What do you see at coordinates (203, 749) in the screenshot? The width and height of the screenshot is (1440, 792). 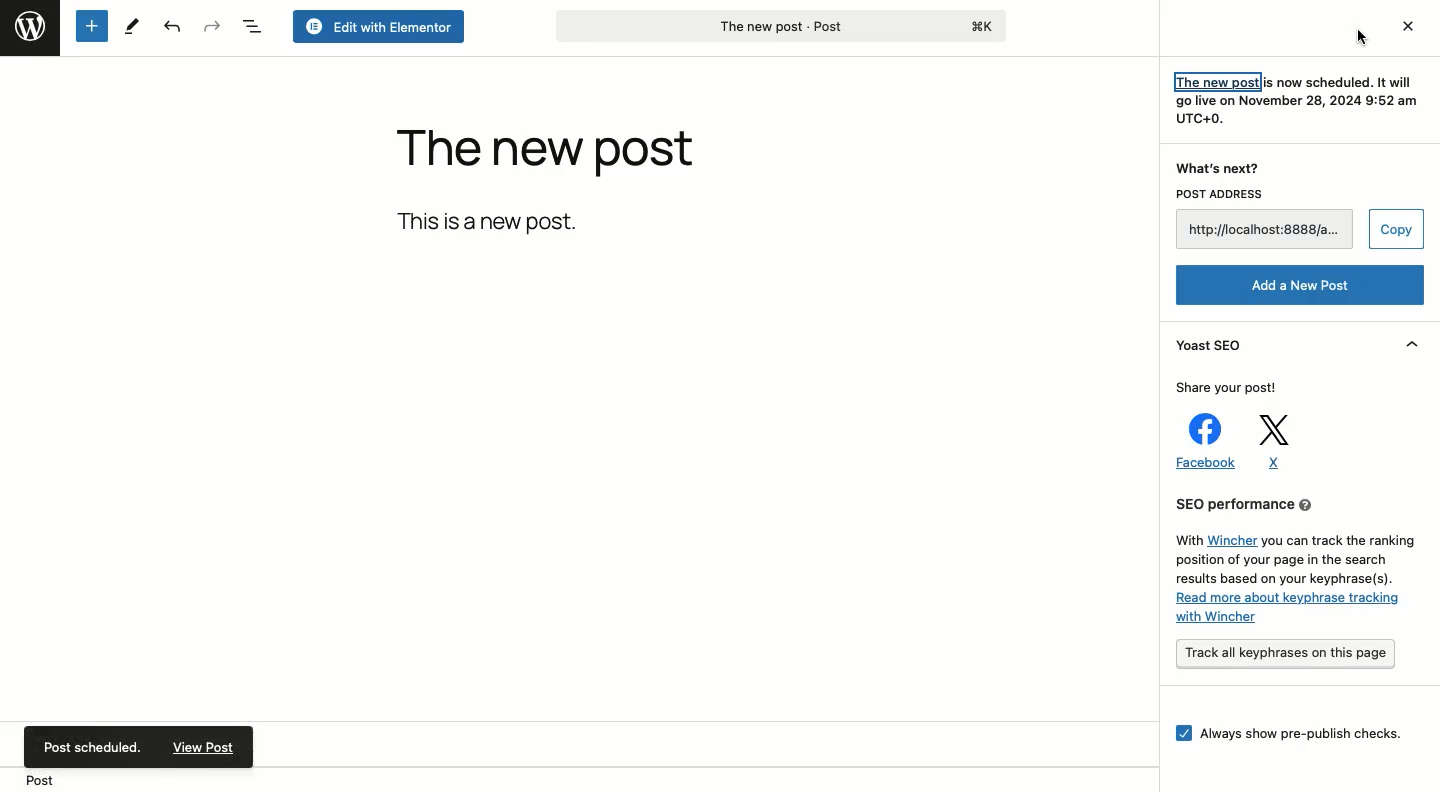 I see `View Post` at bounding box center [203, 749].